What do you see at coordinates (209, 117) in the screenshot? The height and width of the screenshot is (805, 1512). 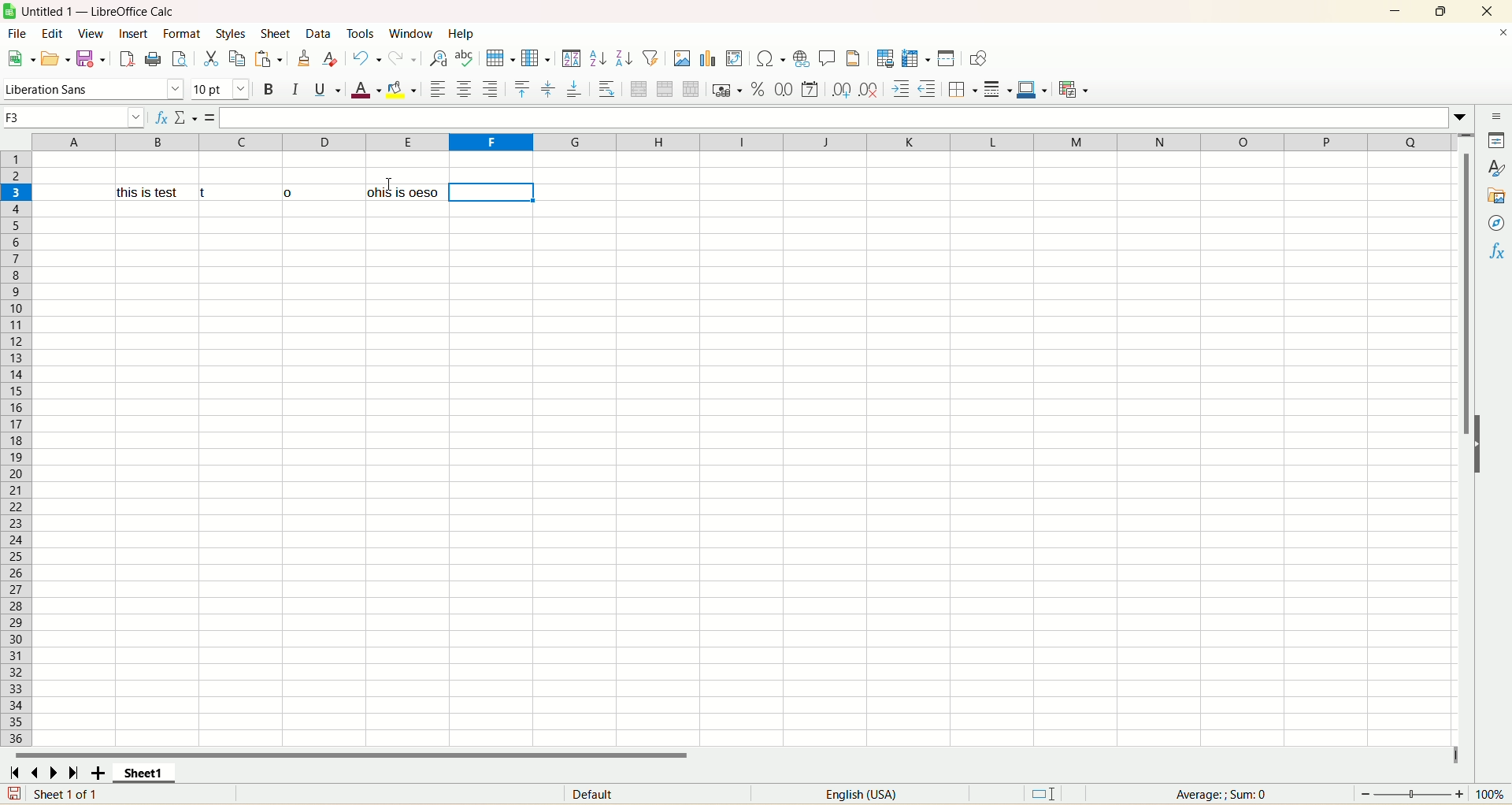 I see `formula` at bounding box center [209, 117].